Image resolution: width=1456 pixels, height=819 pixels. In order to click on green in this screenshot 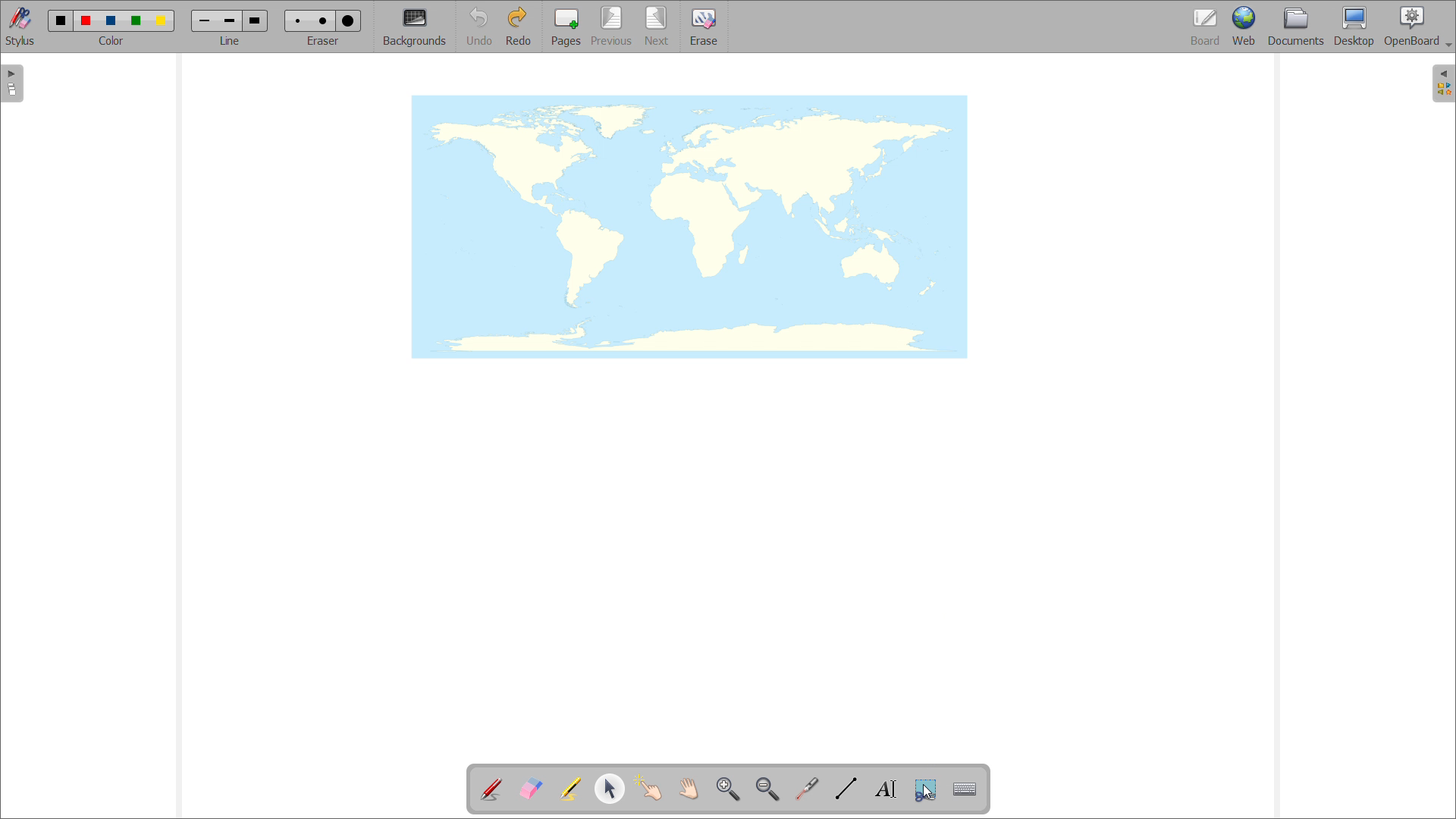, I will do `click(136, 20)`.